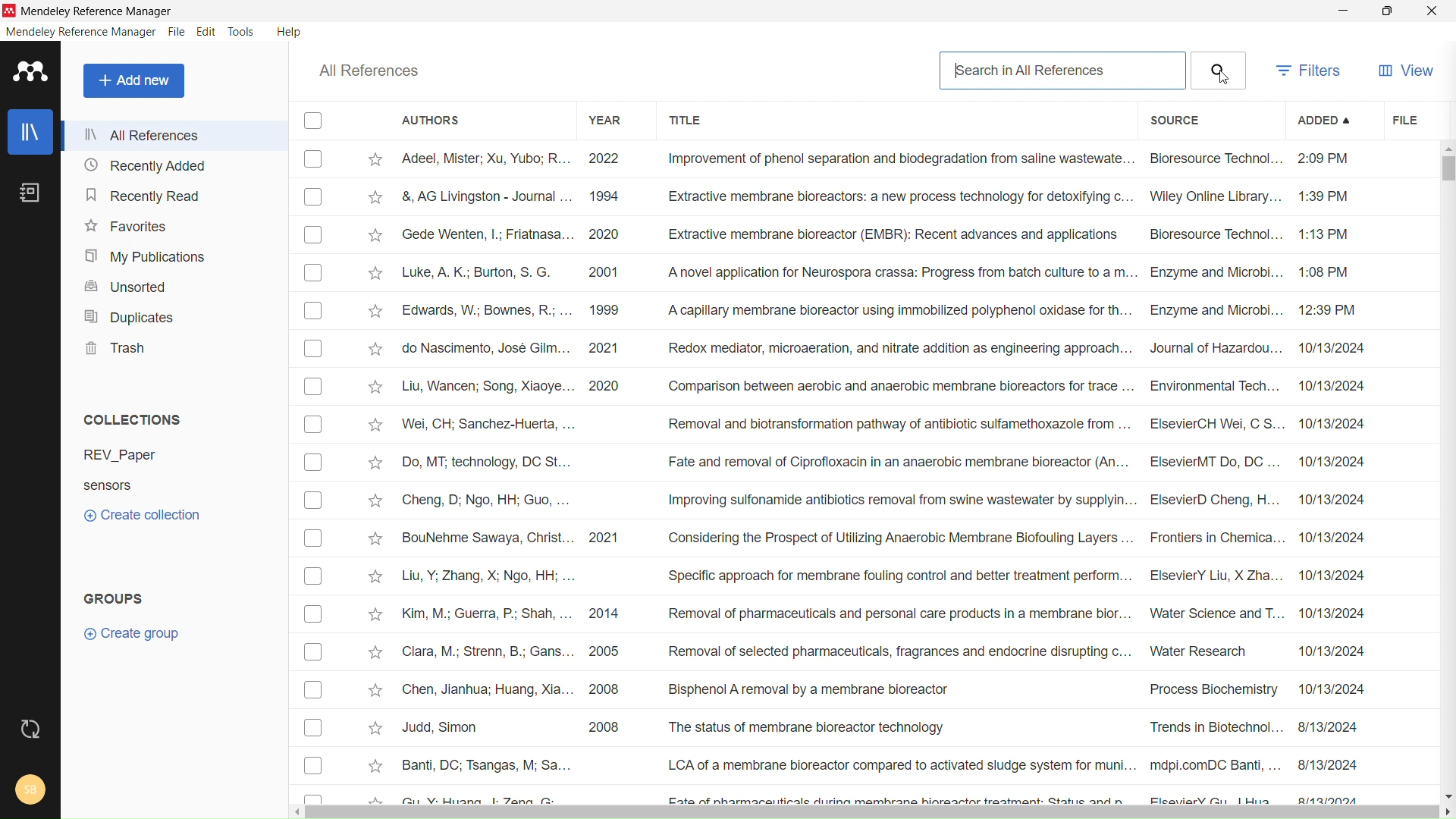 The image size is (1456, 819). I want to click on Edwards, W.; Bownes, R.; ... 1999 A capillary membrane bioreactor using immobilized polyphenol oxidase for th... Enzyme and Microbi... 12:39 PM, so click(895, 309).